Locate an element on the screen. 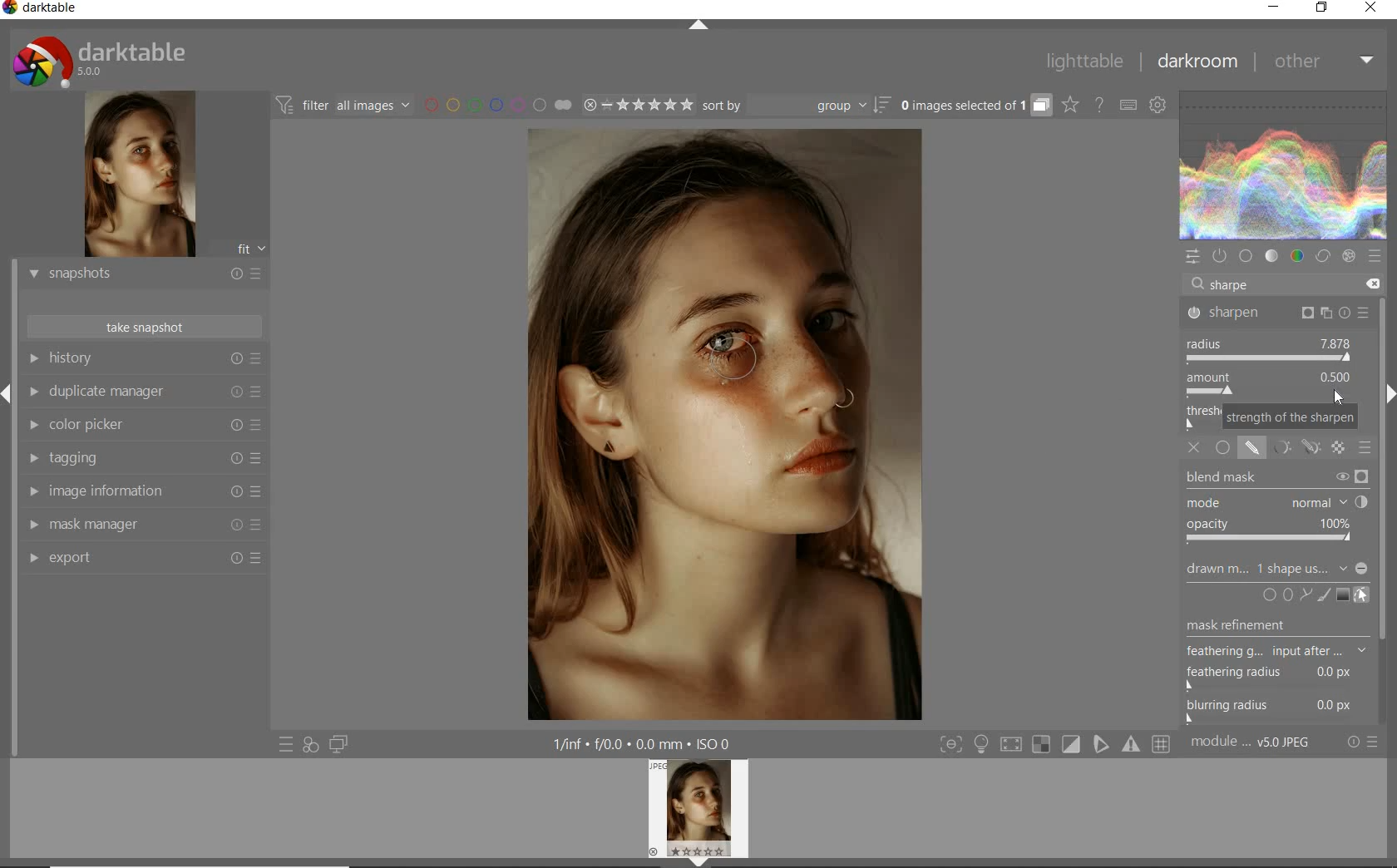 Image resolution: width=1397 pixels, height=868 pixels. image formation is located at coordinates (141, 491).